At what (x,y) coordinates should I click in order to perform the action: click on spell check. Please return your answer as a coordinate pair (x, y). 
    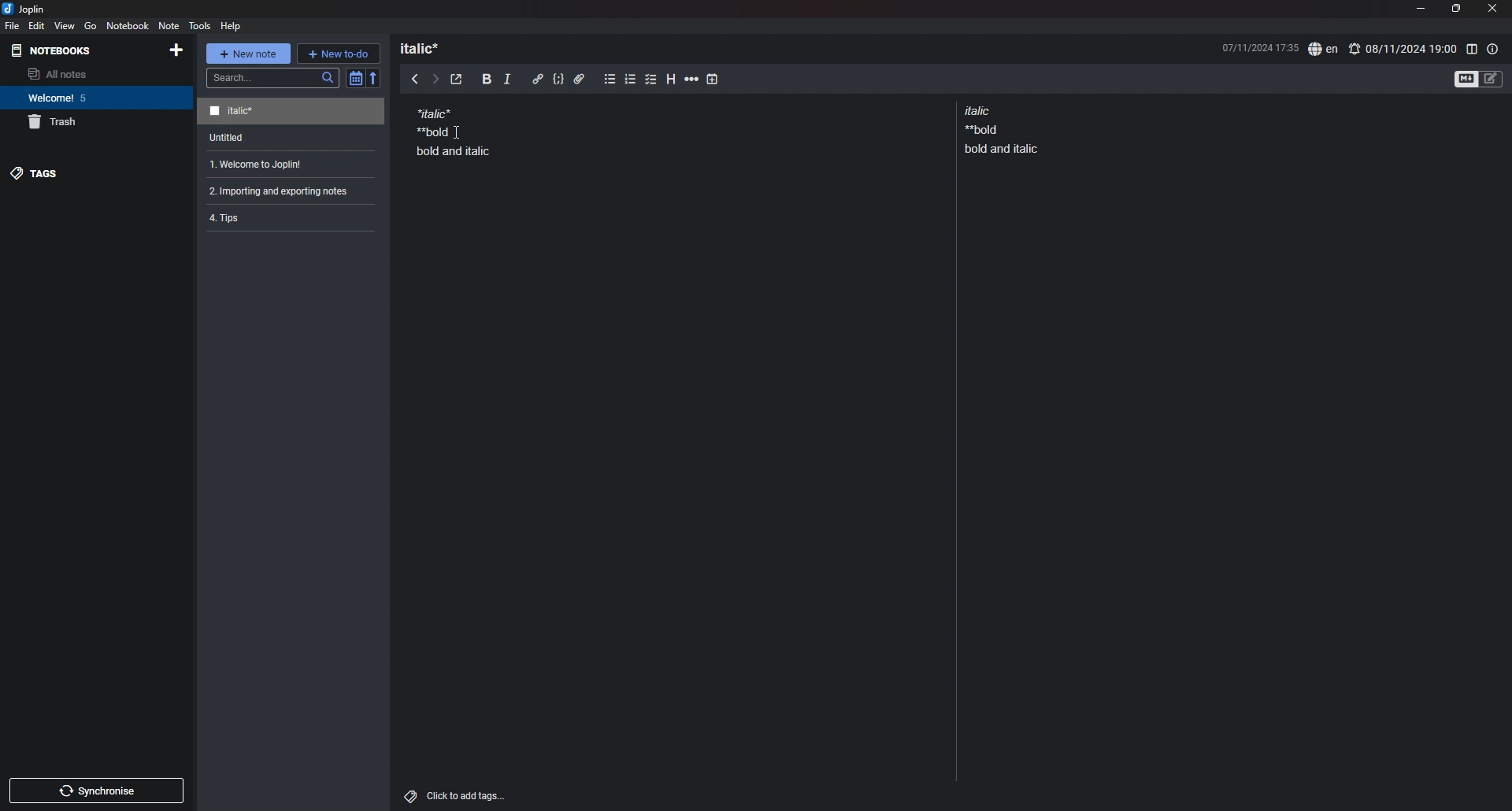
    Looking at the image, I should click on (1323, 50).